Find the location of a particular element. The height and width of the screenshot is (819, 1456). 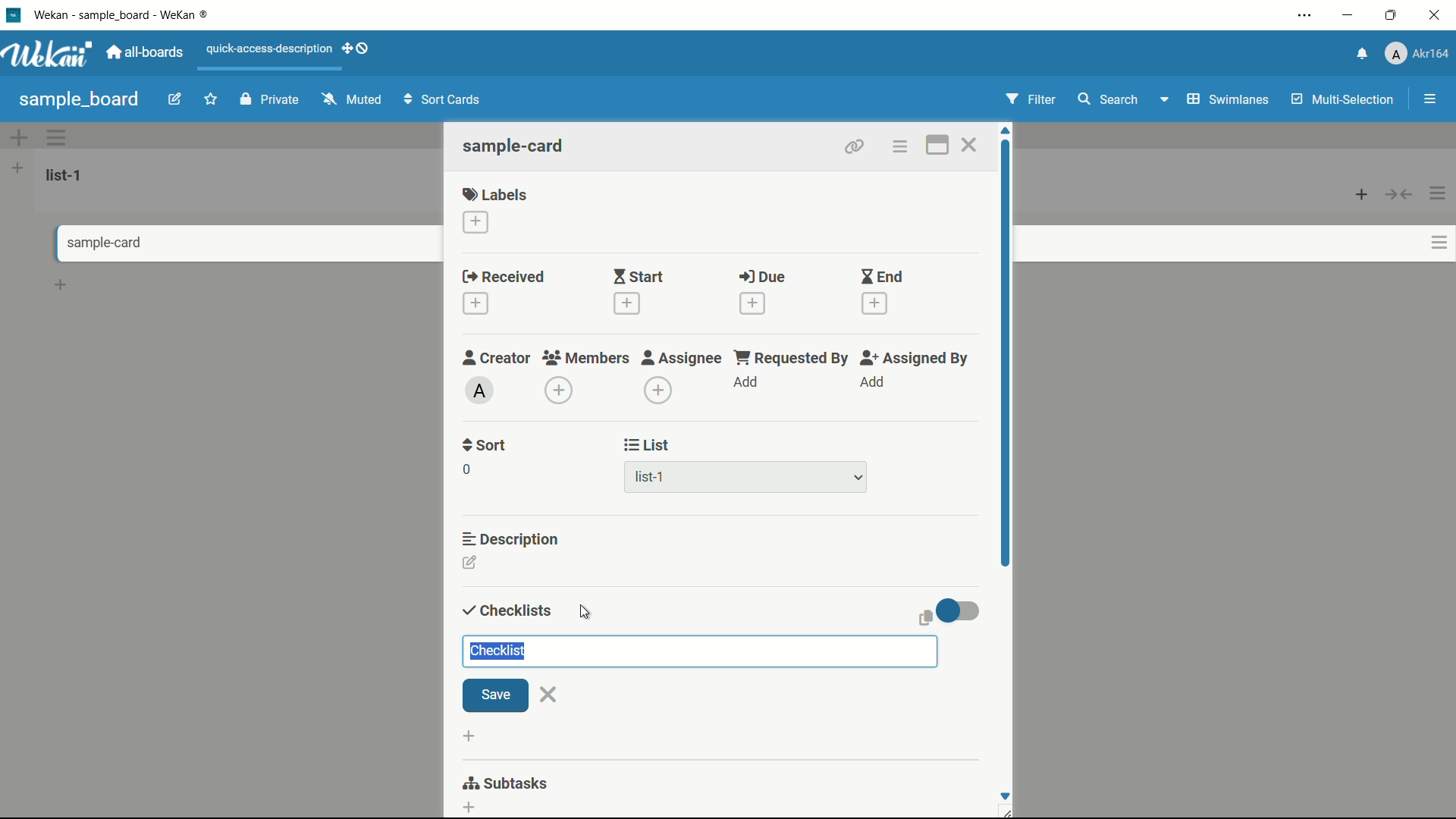

scroll down is located at coordinates (1004, 795).